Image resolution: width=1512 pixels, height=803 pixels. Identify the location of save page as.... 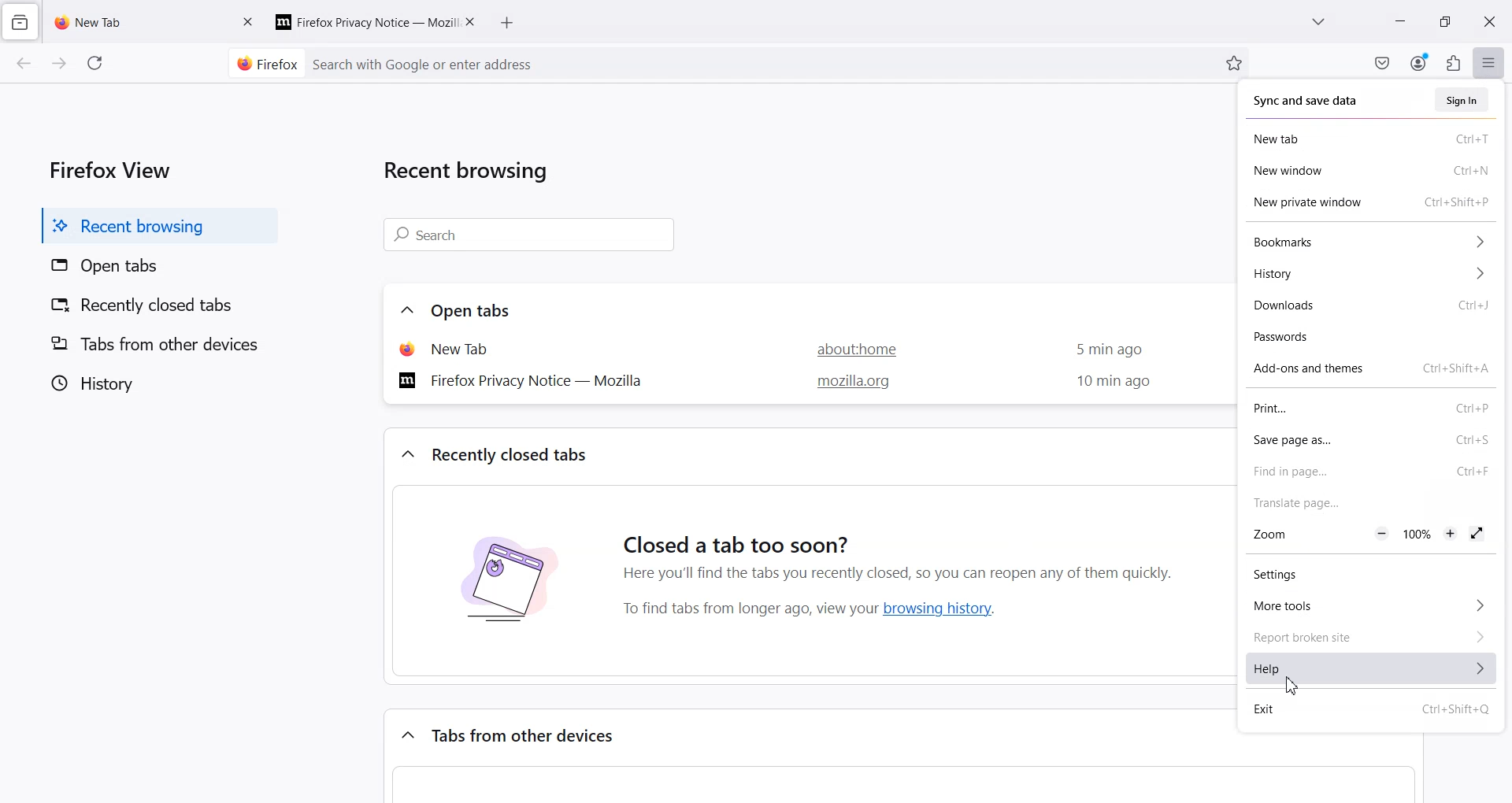
(1369, 441).